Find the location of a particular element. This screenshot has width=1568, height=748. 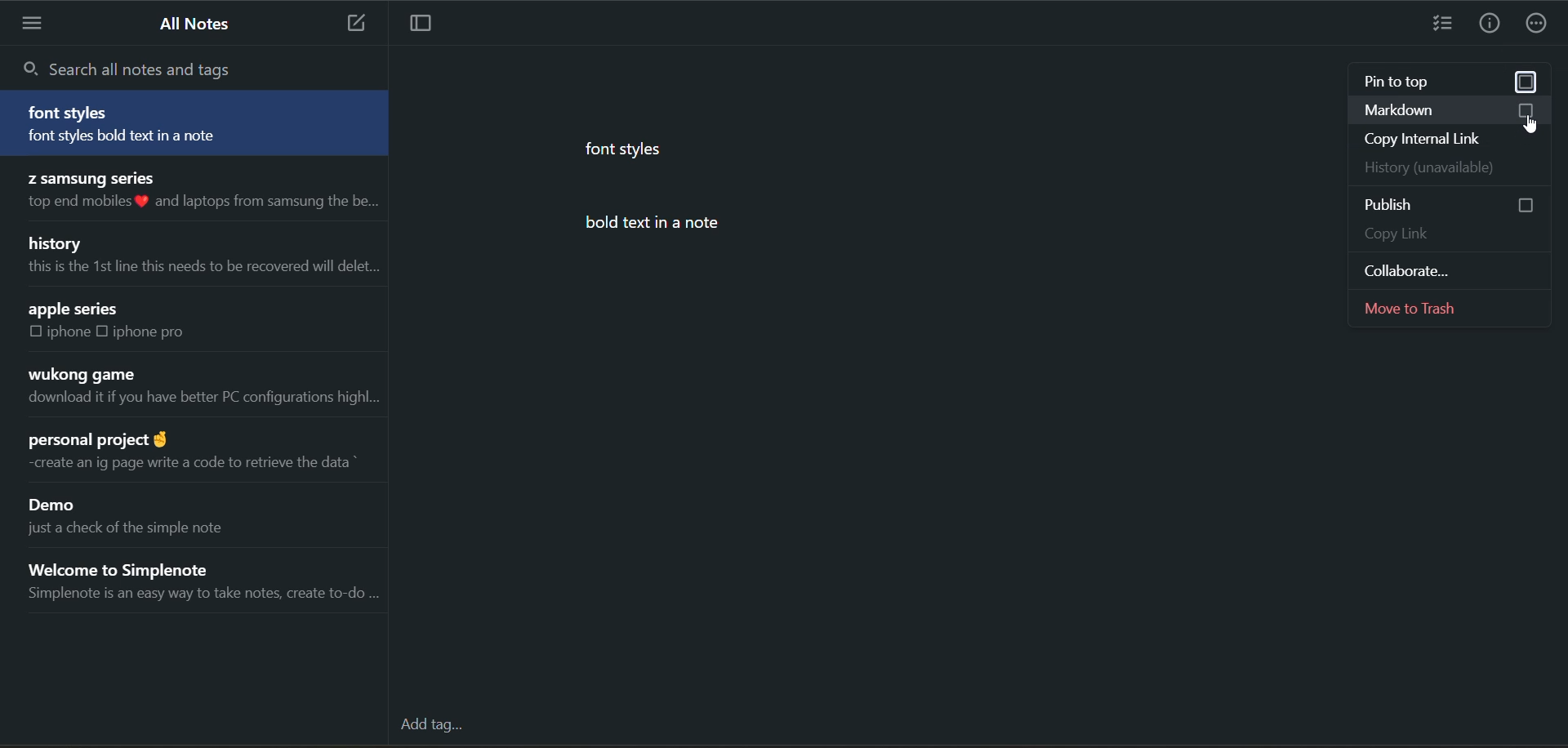

add tag is located at coordinates (439, 727).